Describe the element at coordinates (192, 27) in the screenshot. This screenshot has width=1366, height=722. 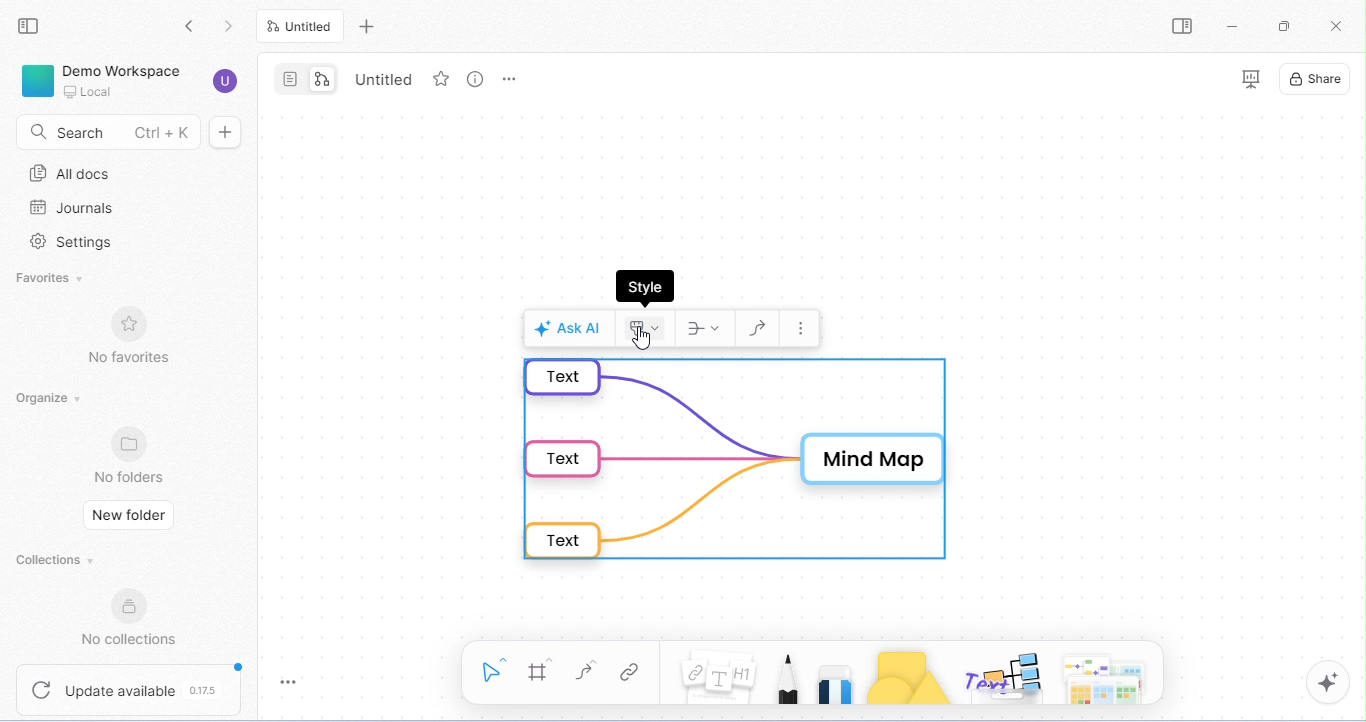
I see `go back` at that location.